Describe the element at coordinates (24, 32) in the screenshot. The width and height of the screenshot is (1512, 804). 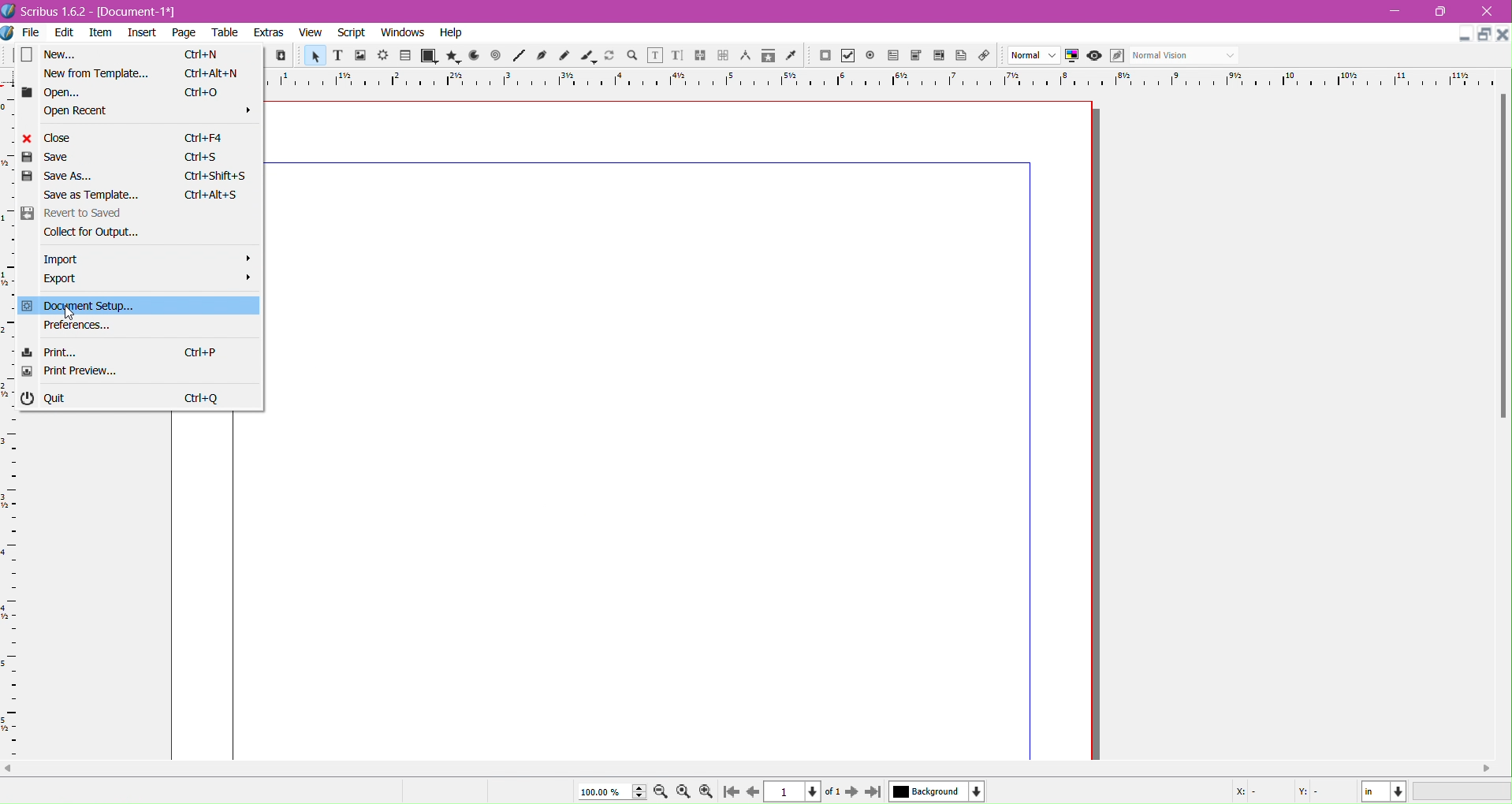
I see `File` at that location.